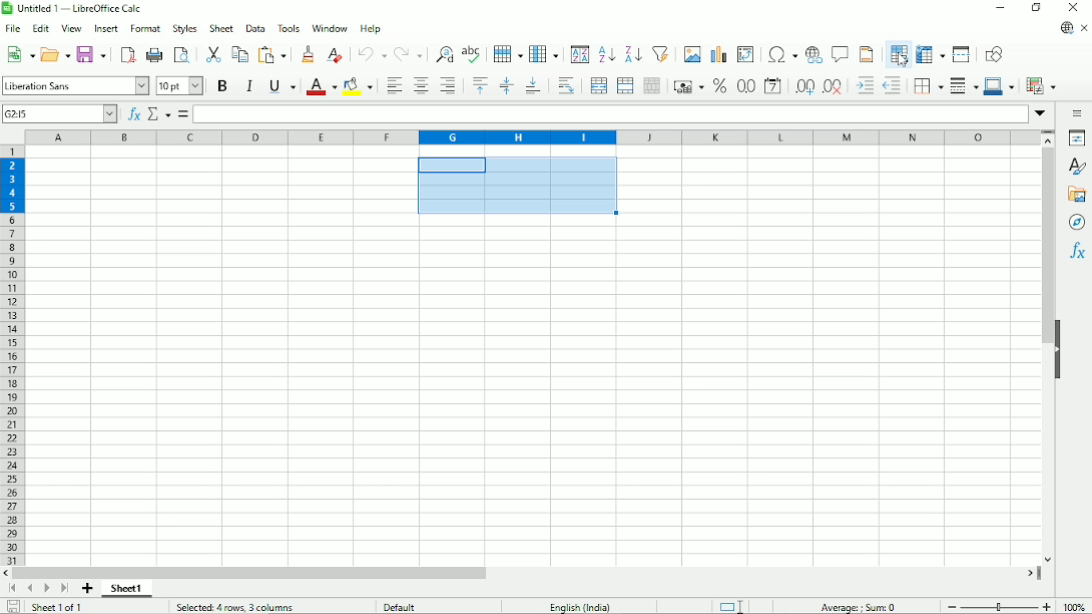  I want to click on format as number, so click(745, 86).